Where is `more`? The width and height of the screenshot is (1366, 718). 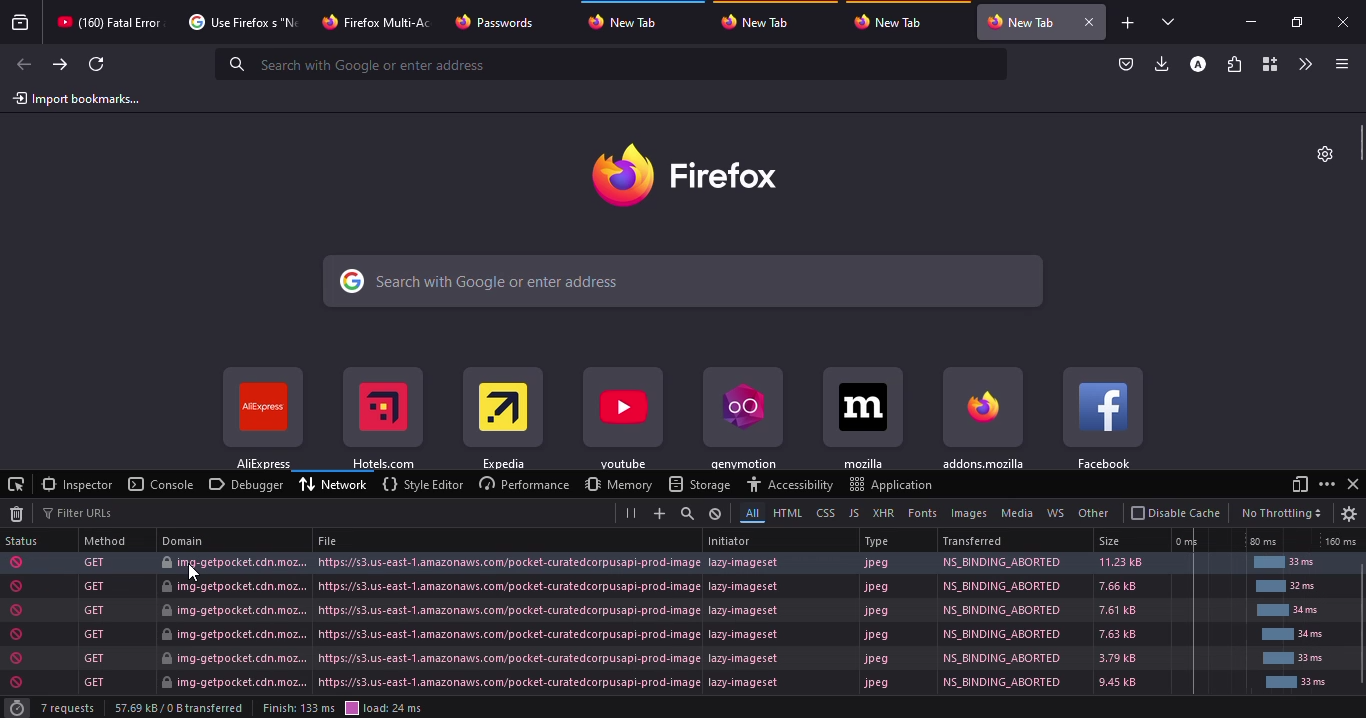 more is located at coordinates (1327, 483).